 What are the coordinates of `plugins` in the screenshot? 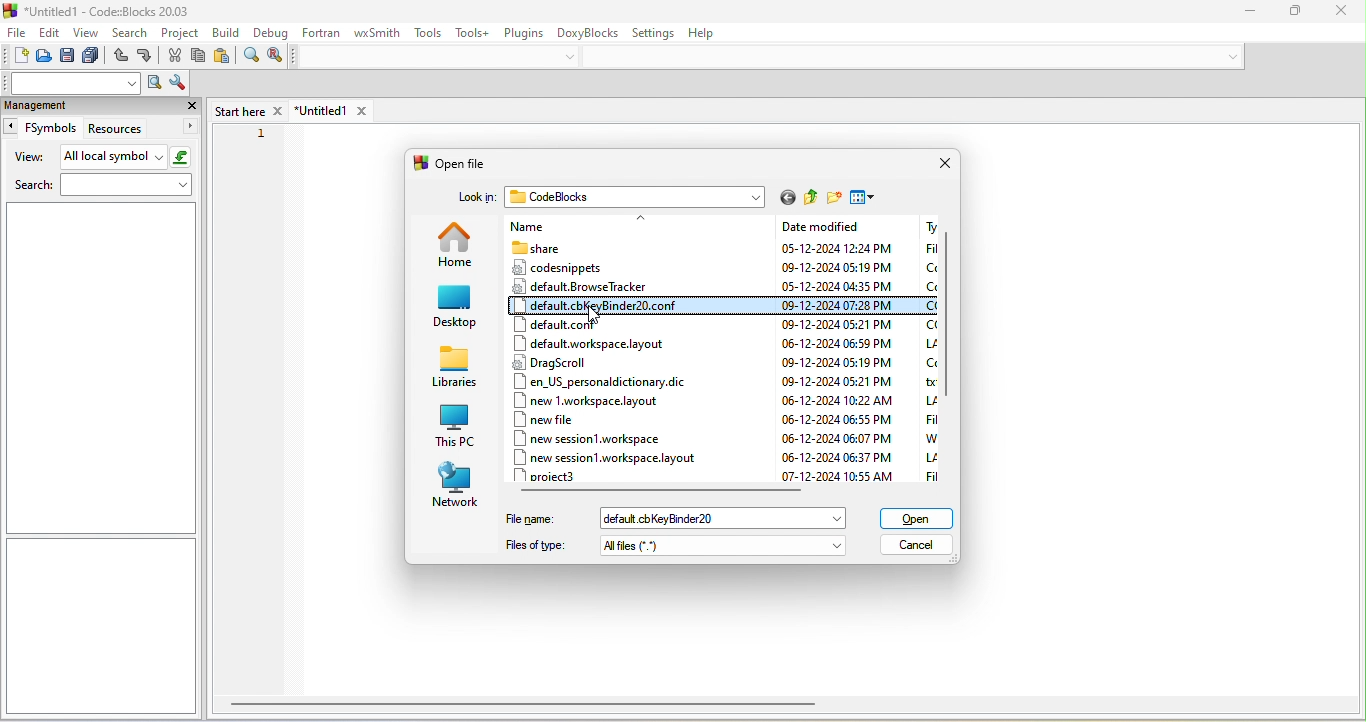 It's located at (527, 35).